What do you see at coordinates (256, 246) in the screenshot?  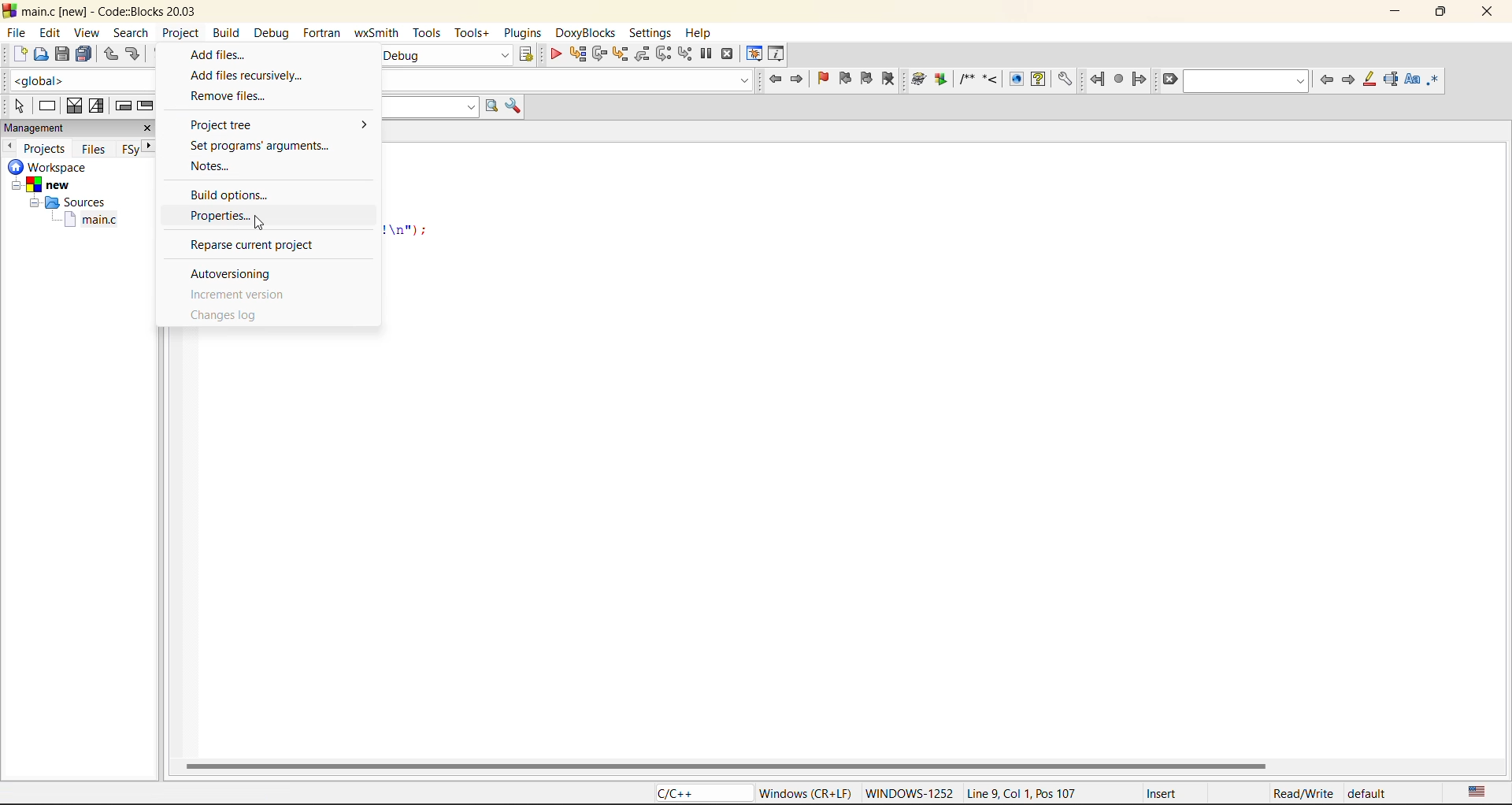 I see `reparse current project` at bounding box center [256, 246].